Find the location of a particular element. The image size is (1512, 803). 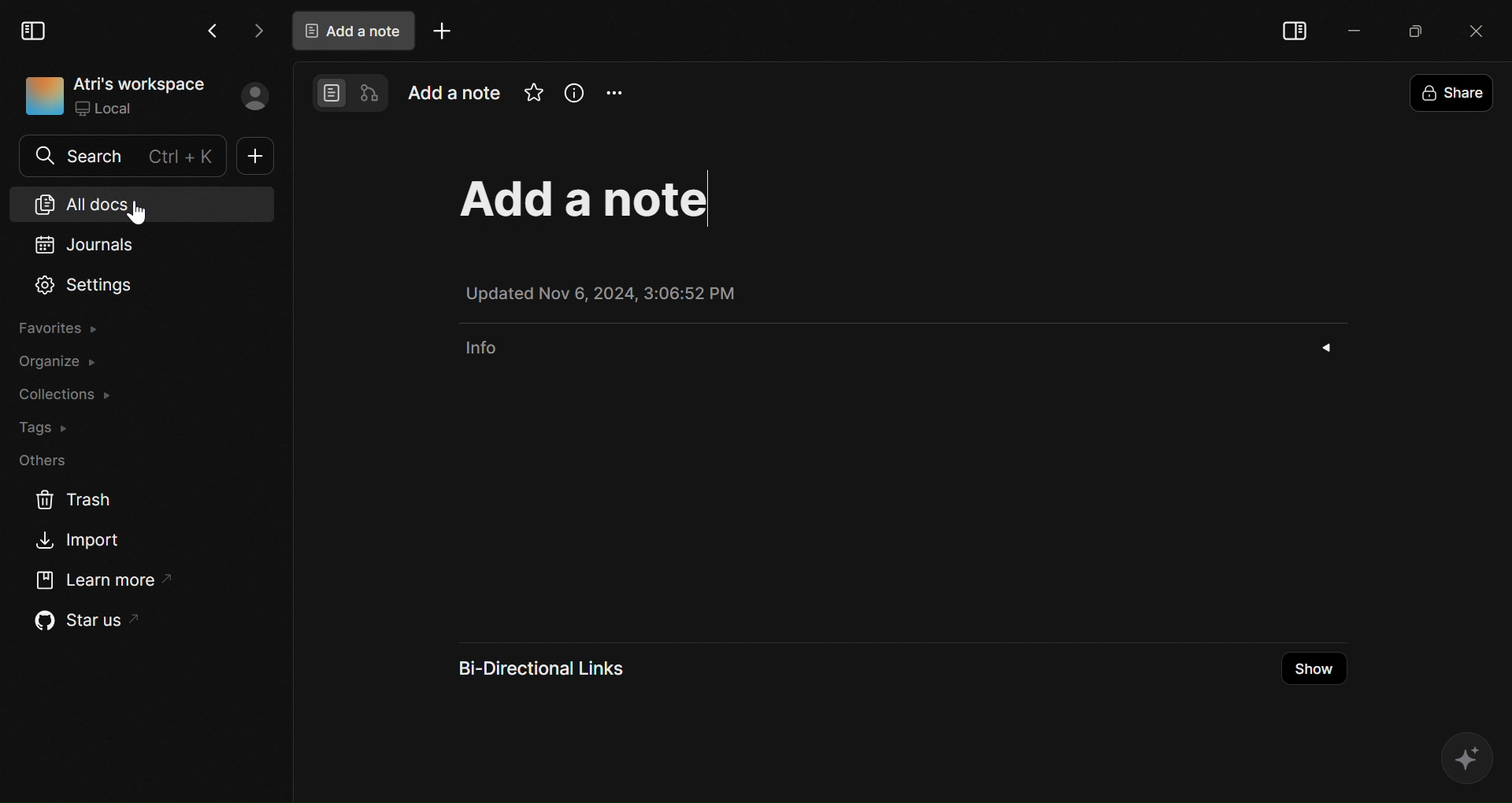

icon is located at coordinates (41, 96).